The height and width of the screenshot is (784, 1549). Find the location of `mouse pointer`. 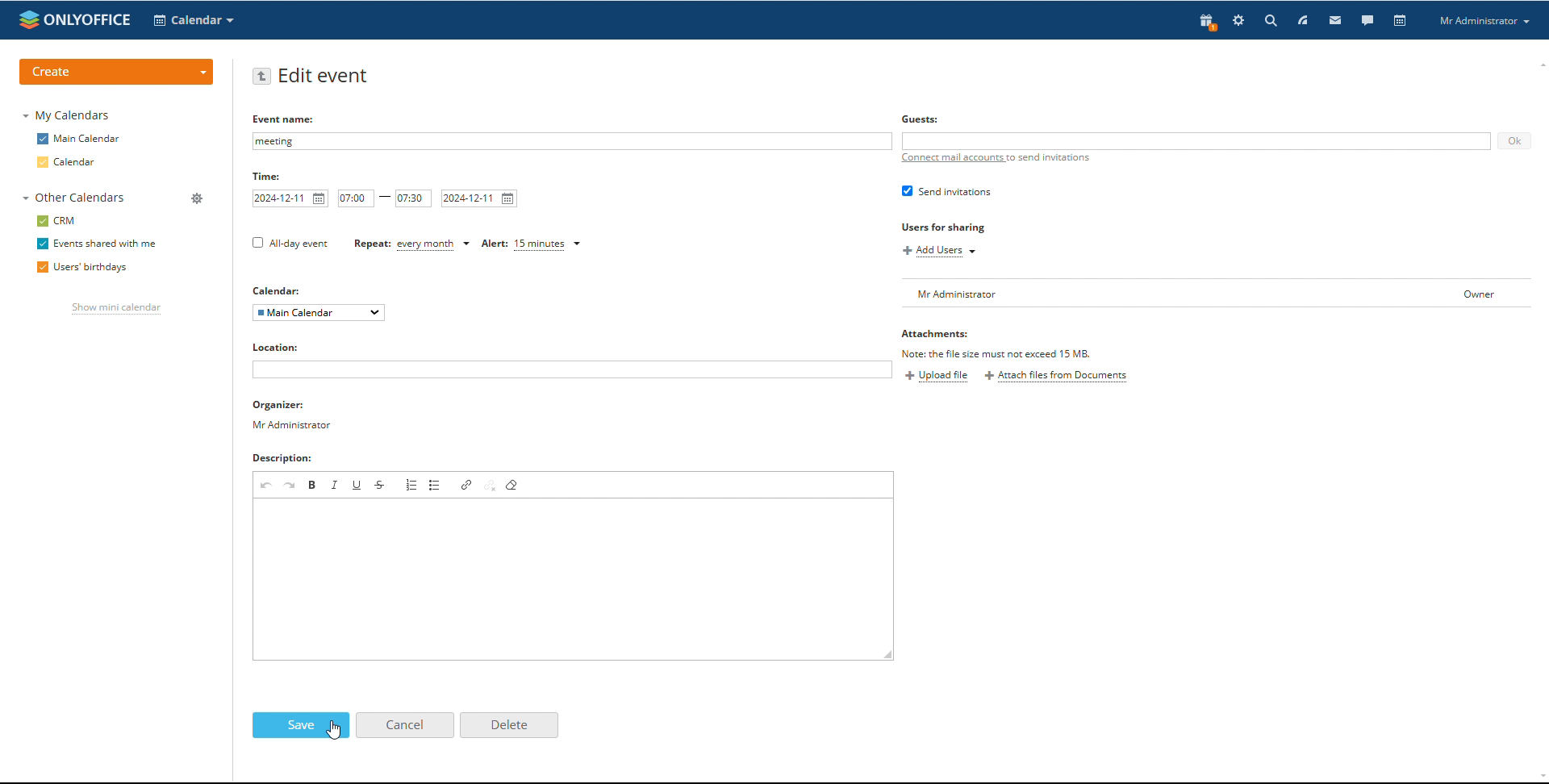

mouse pointer is located at coordinates (428, 277).